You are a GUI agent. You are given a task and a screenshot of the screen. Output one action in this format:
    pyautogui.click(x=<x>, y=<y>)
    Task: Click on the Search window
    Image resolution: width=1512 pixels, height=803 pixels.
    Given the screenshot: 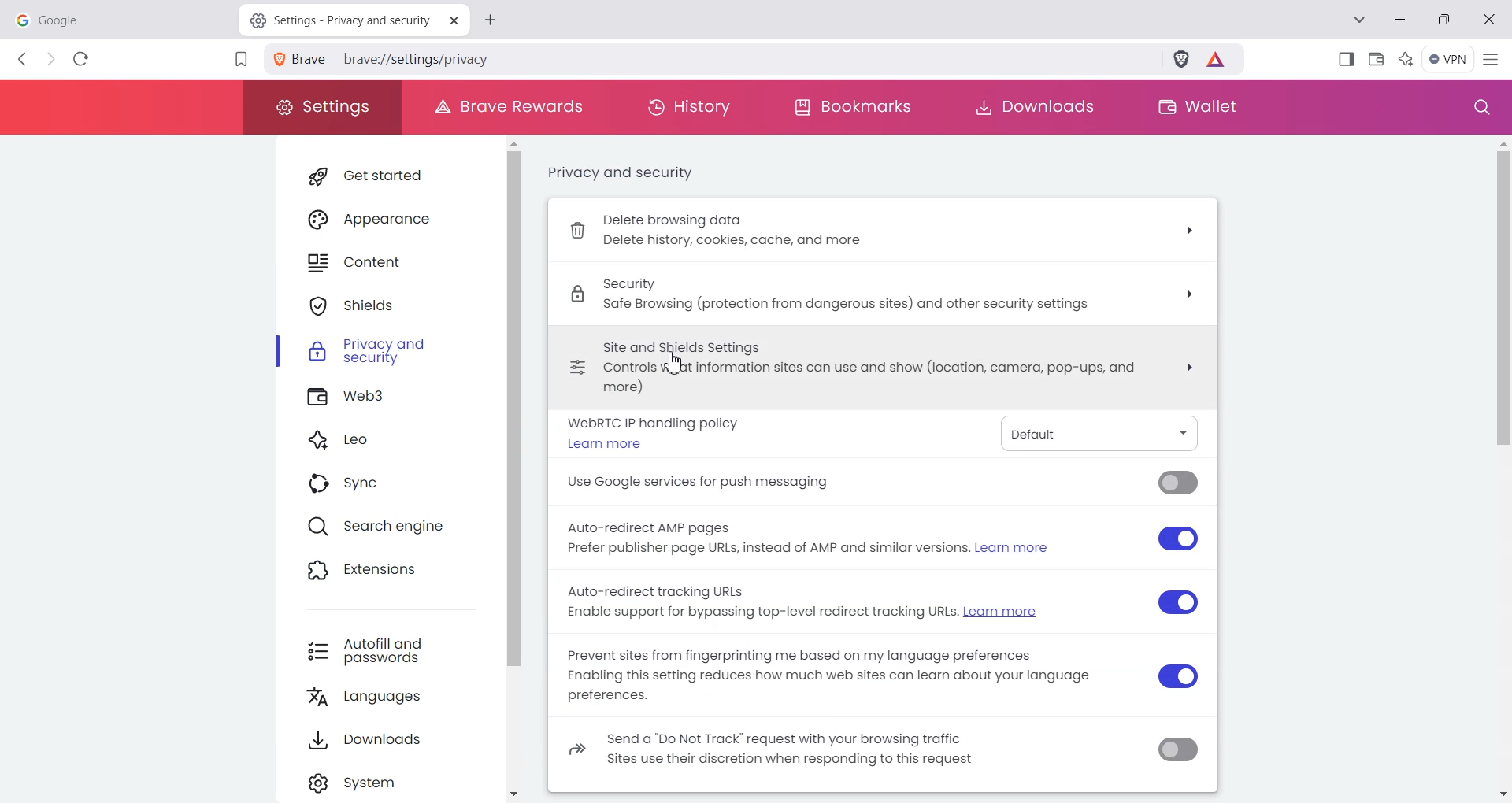 What is the action you would take?
    pyautogui.click(x=1478, y=108)
    